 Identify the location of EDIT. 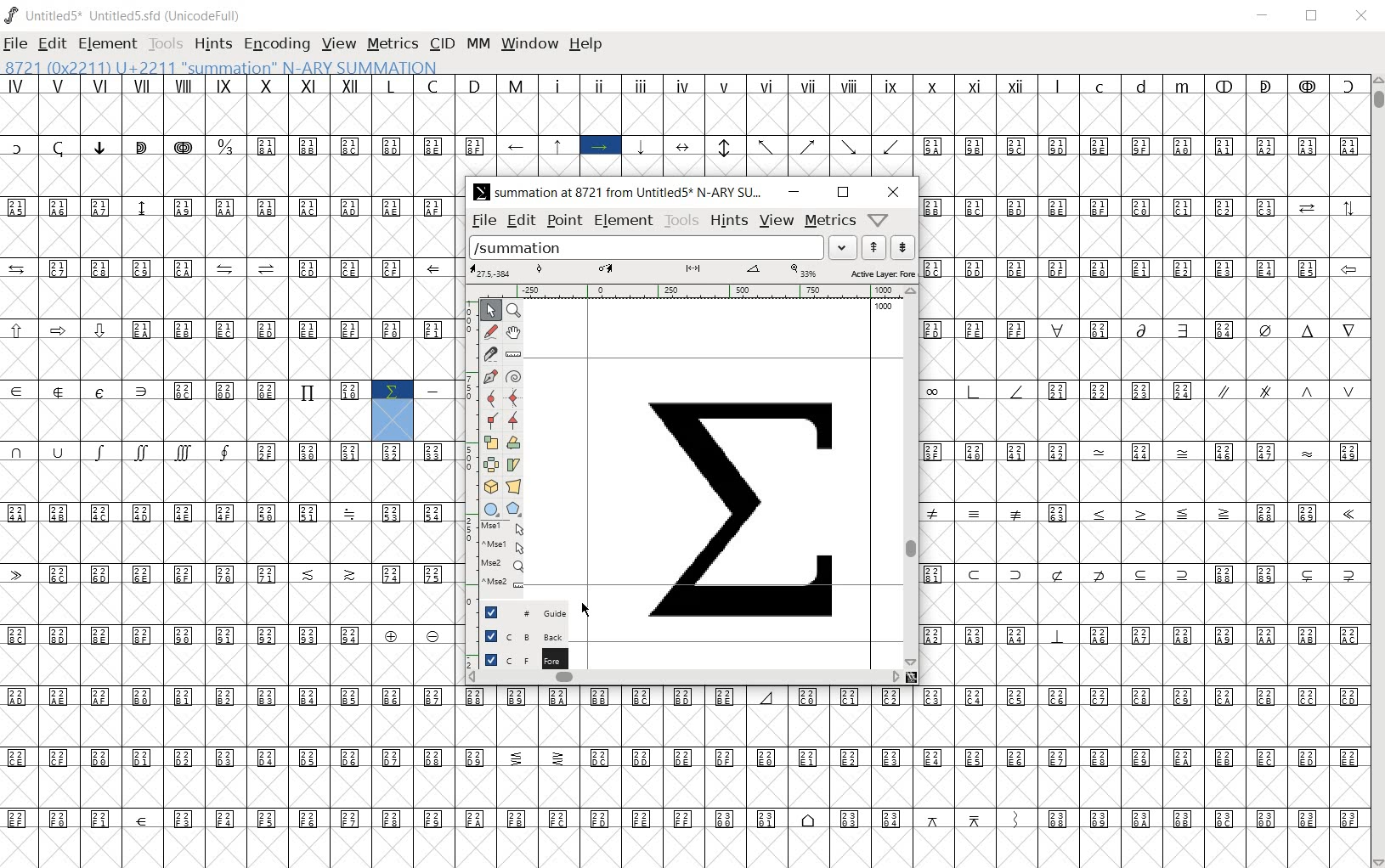
(51, 45).